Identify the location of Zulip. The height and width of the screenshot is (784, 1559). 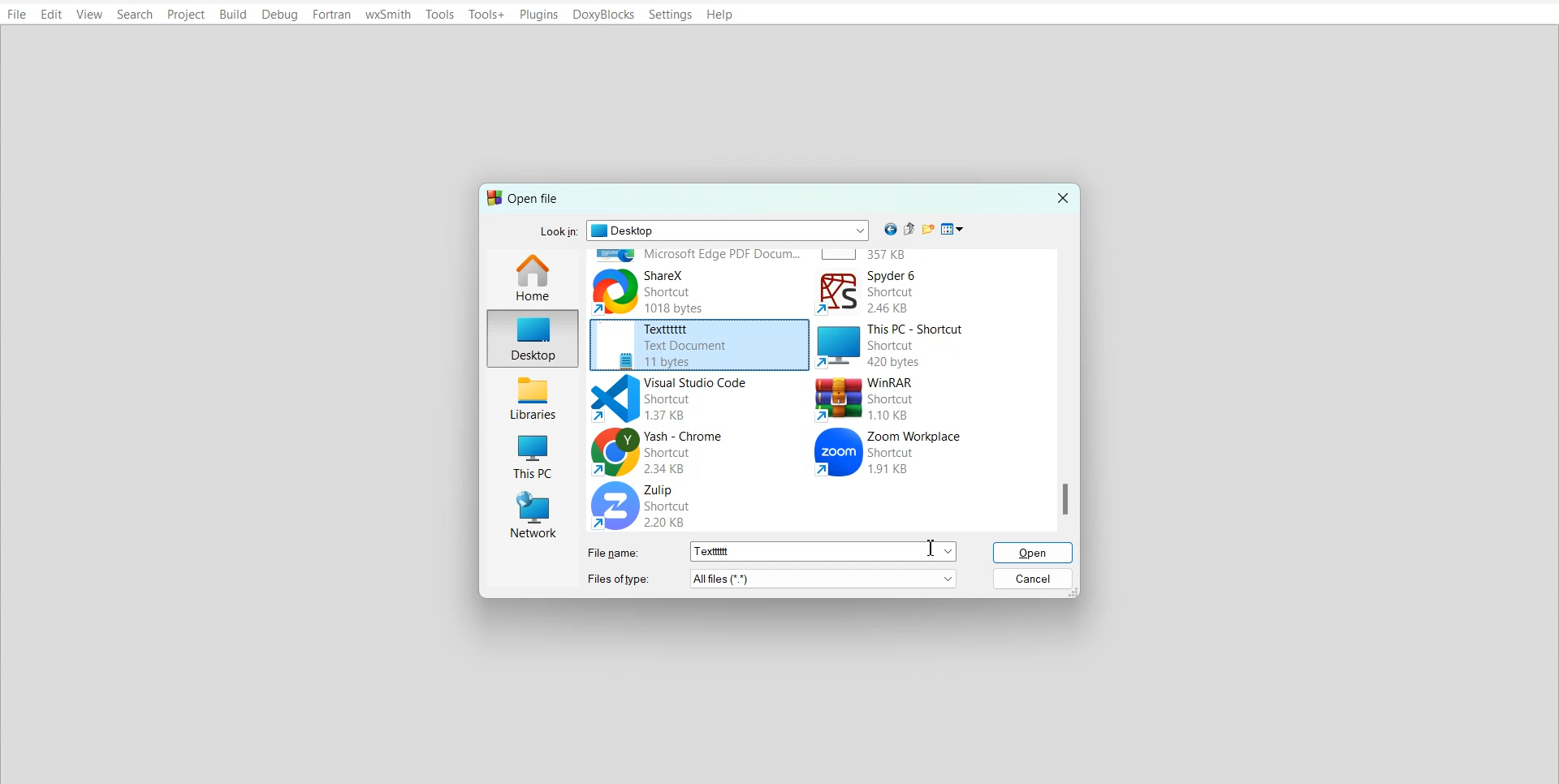
(701, 506).